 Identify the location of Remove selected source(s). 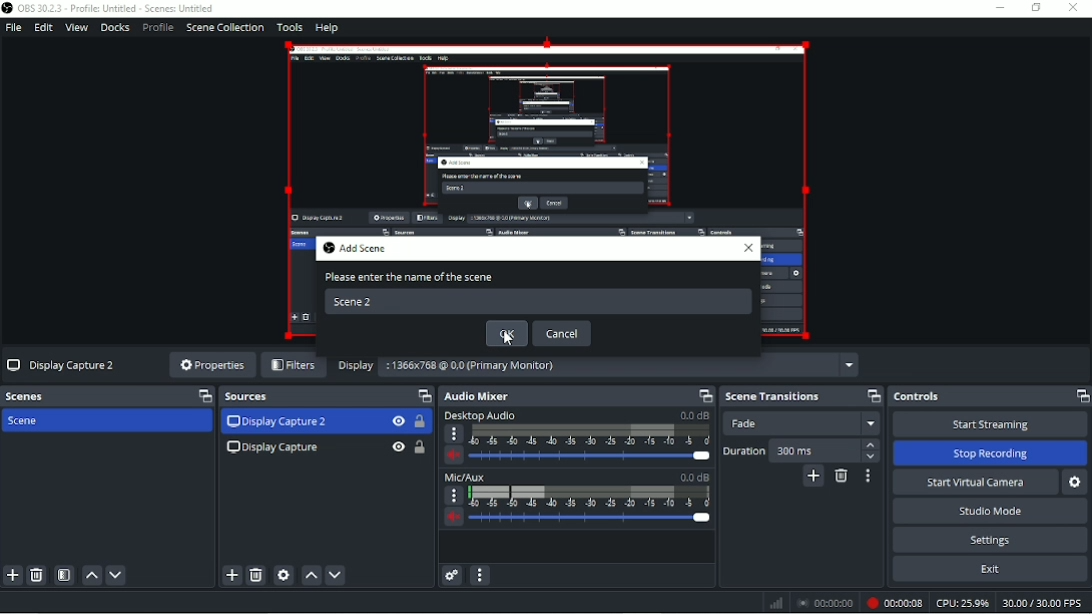
(255, 575).